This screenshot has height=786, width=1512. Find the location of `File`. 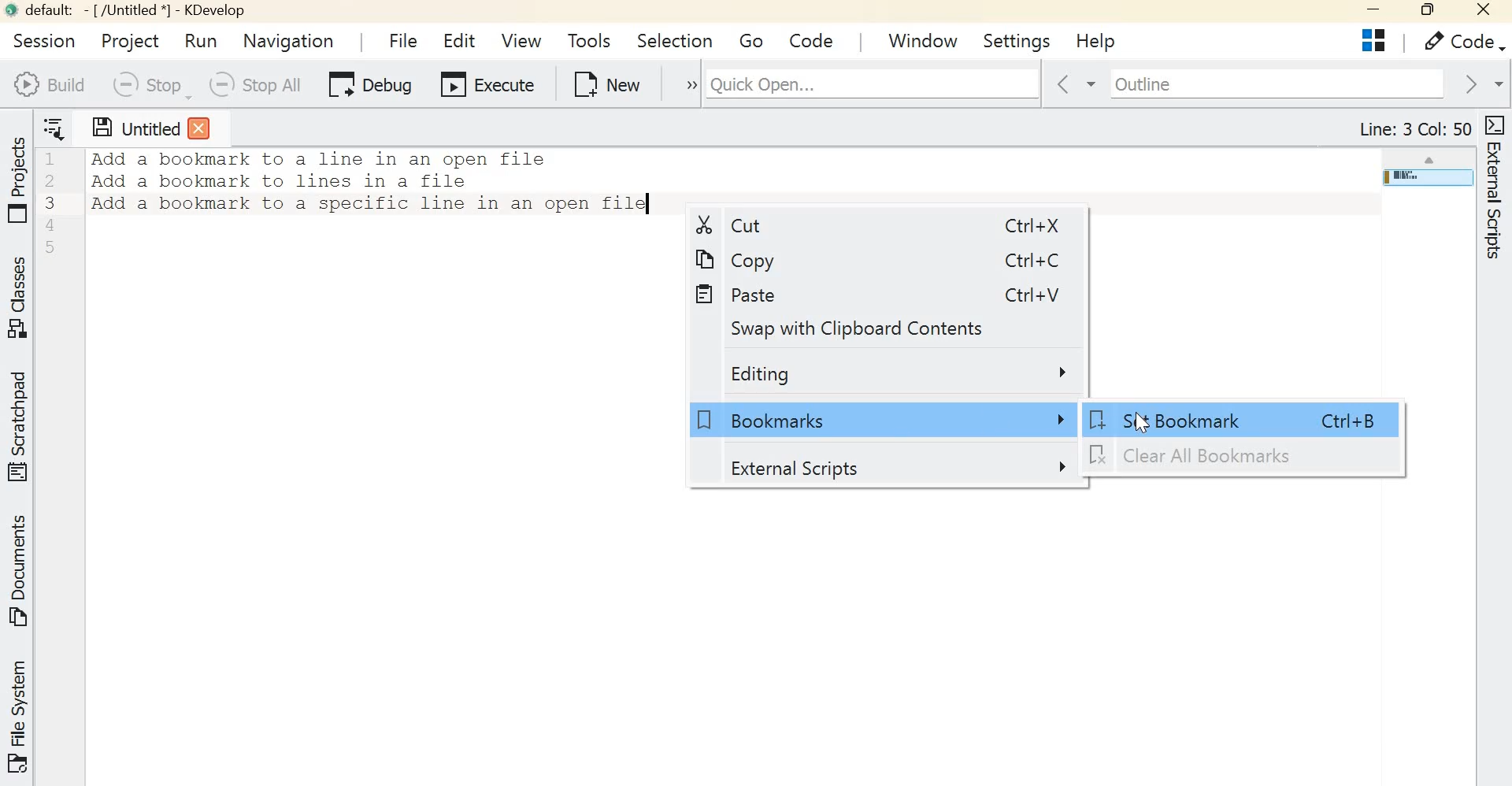

File is located at coordinates (398, 36).